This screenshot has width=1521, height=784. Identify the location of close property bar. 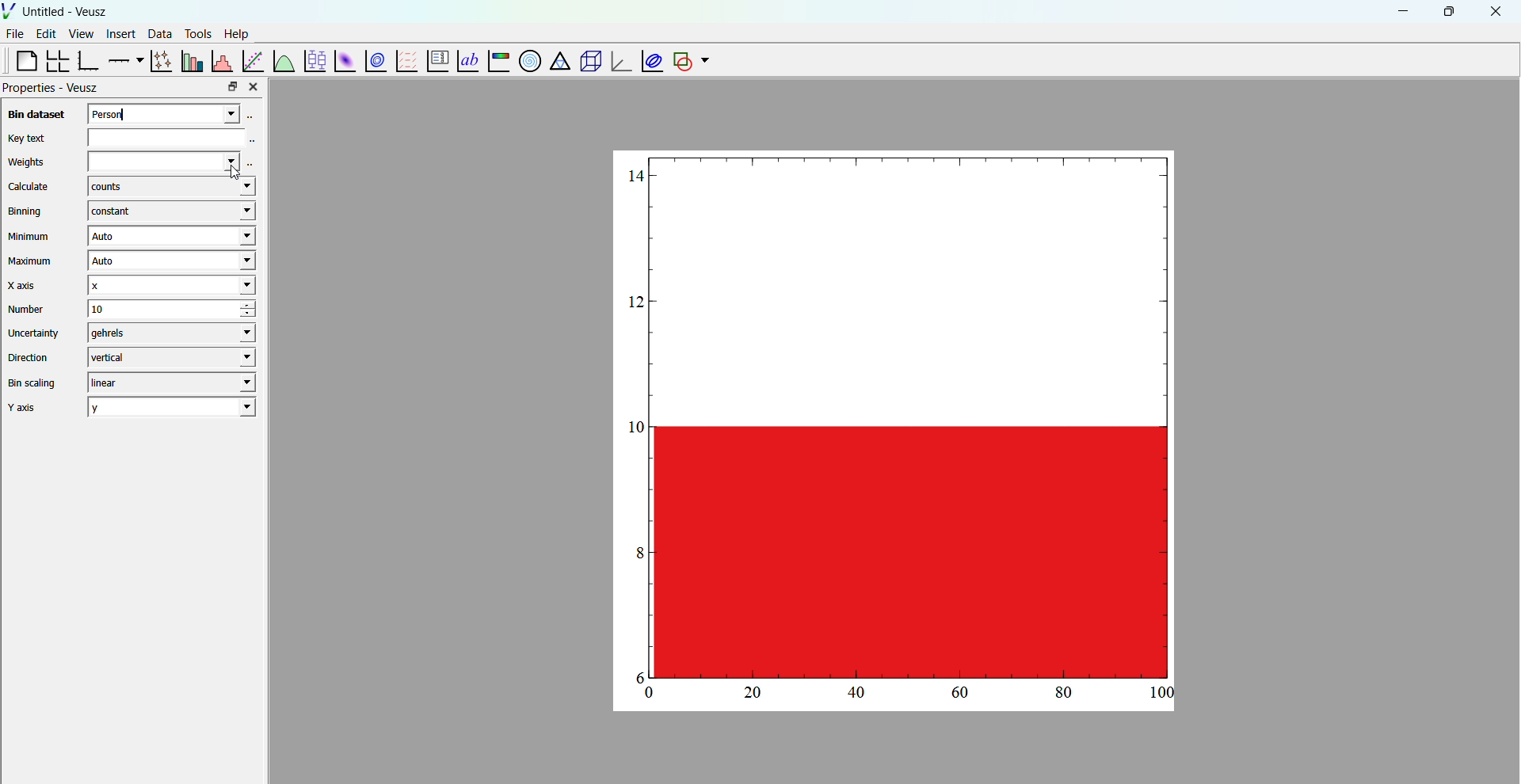
(255, 86).